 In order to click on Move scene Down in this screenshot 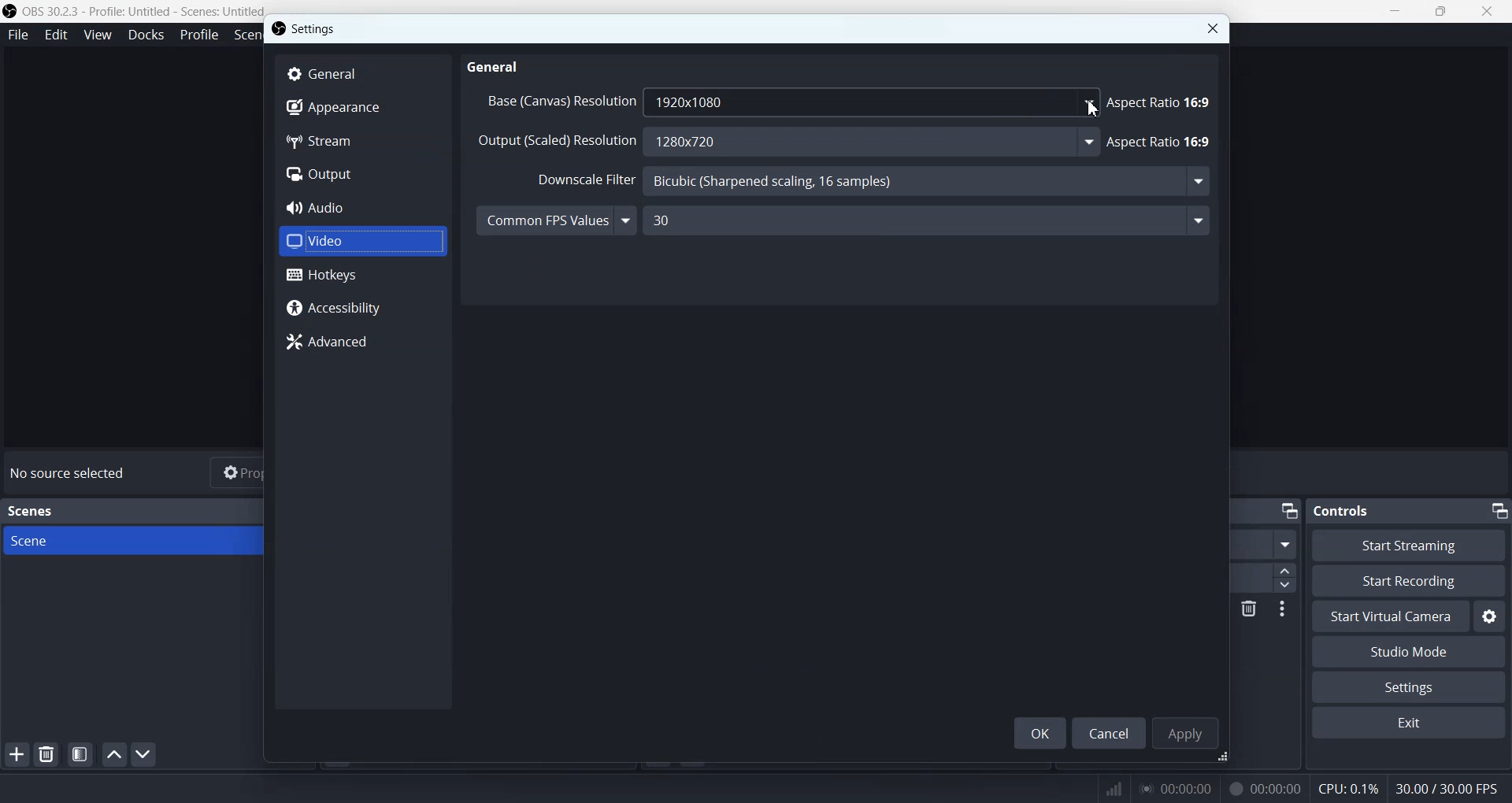, I will do `click(144, 754)`.